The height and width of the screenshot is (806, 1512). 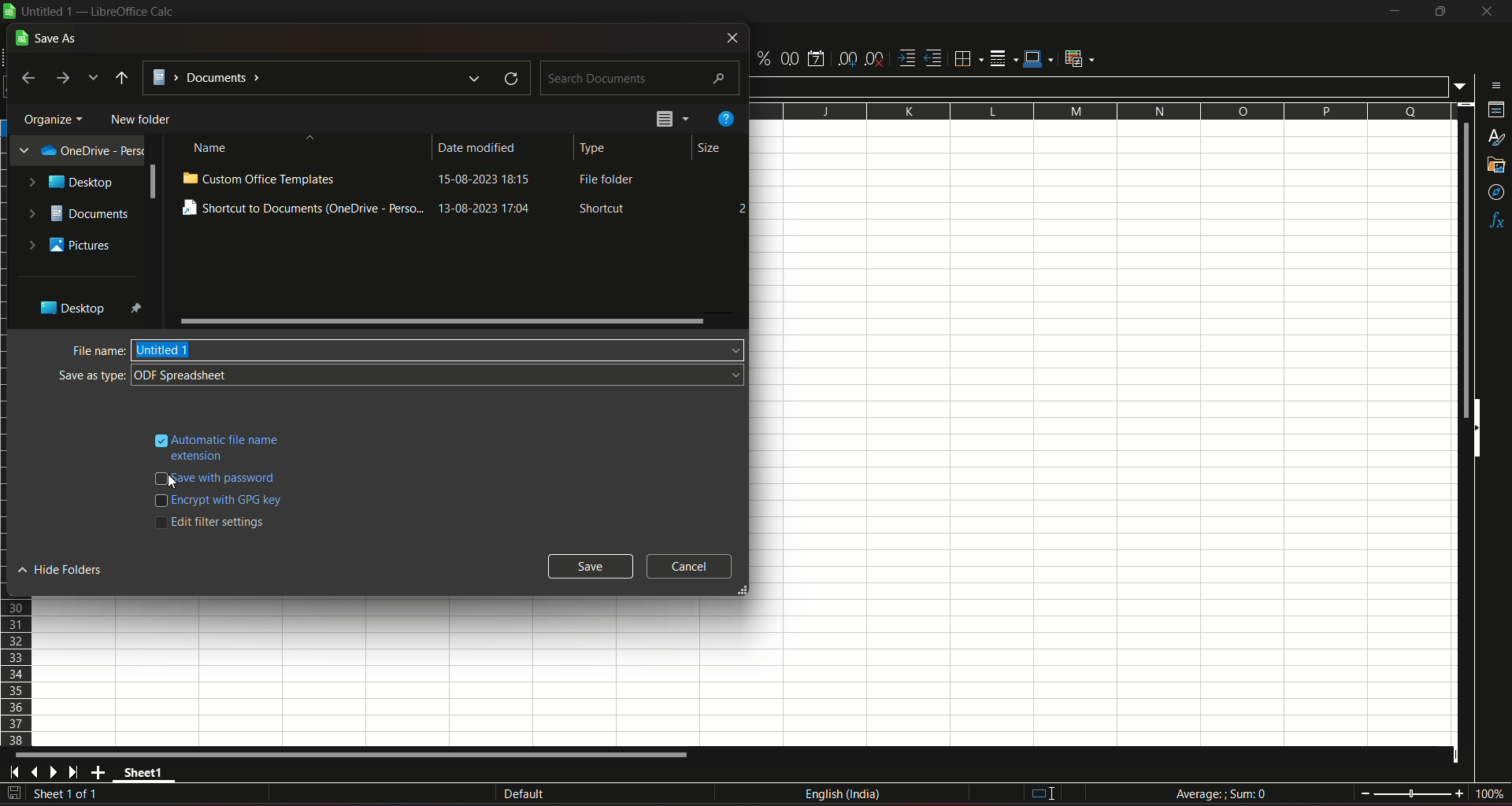 What do you see at coordinates (1462, 87) in the screenshot?
I see `expand formula` at bounding box center [1462, 87].